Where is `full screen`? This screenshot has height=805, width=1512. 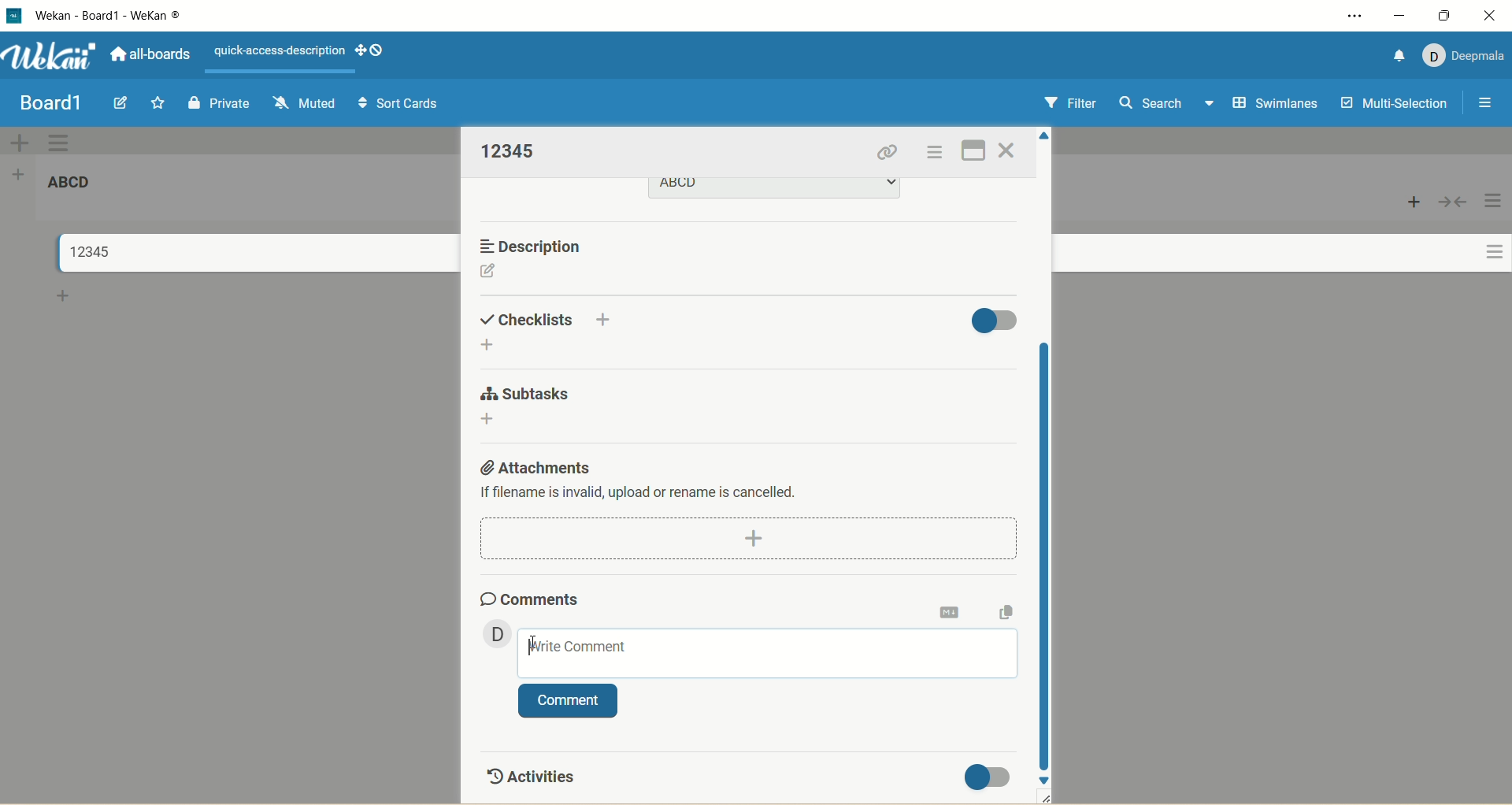
full screen is located at coordinates (976, 147).